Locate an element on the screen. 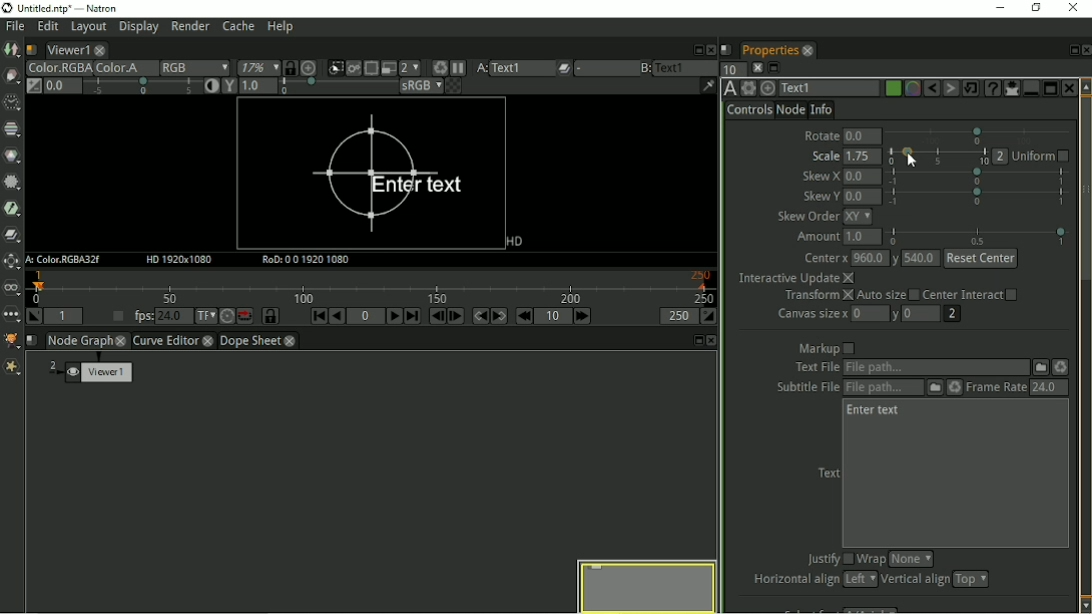 This screenshot has width=1092, height=614. Display is located at coordinates (139, 28).